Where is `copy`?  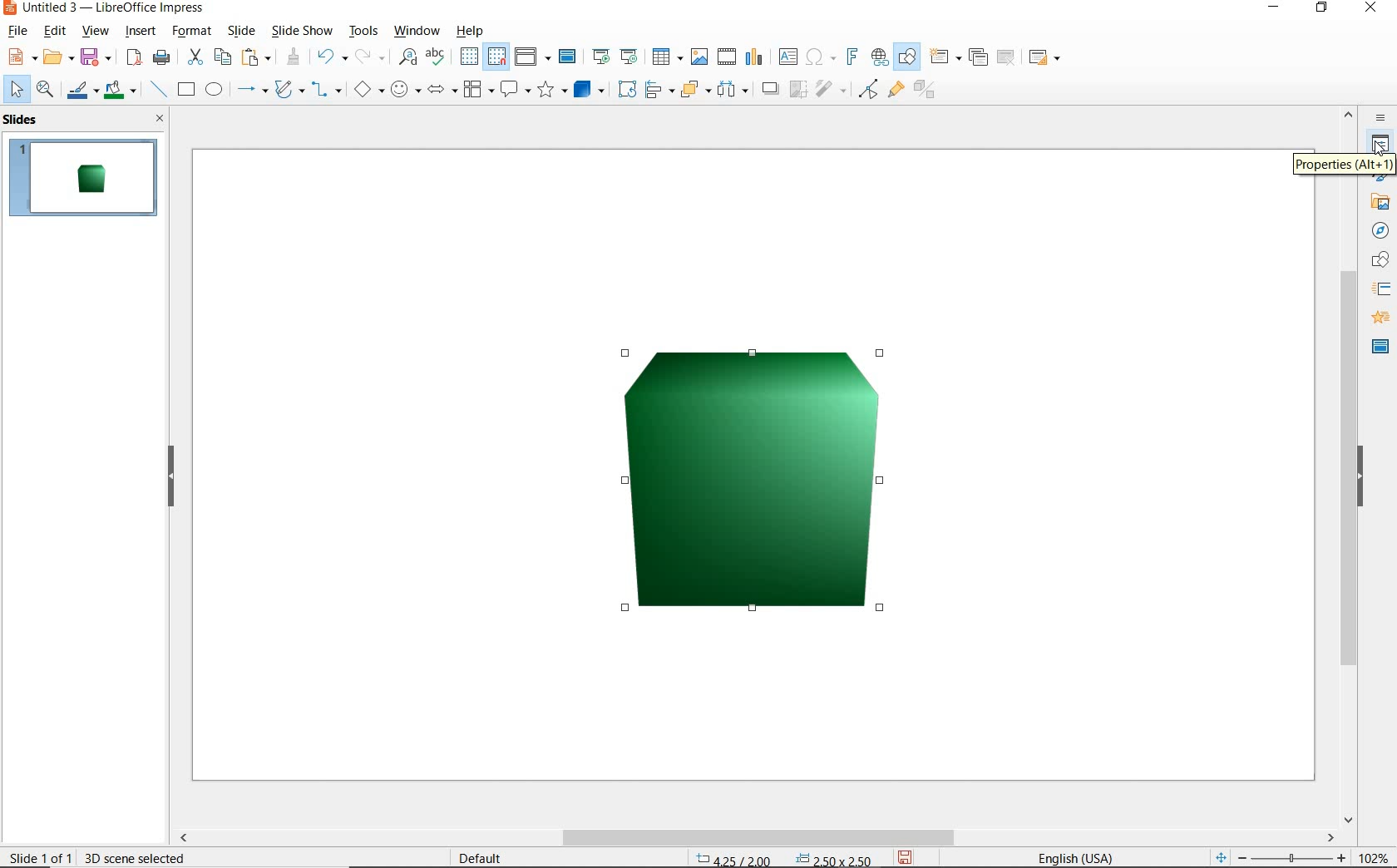 copy is located at coordinates (224, 57).